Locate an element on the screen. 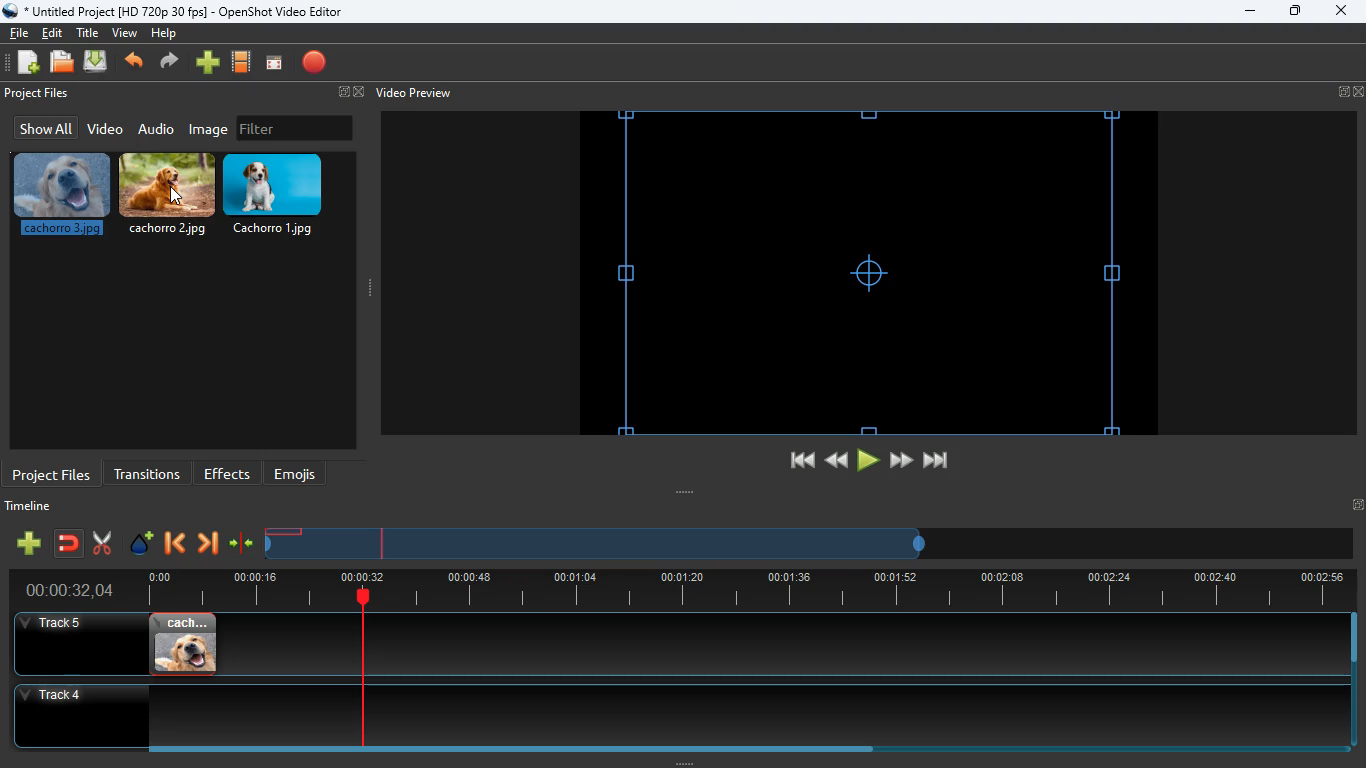  image is located at coordinates (183, 644).